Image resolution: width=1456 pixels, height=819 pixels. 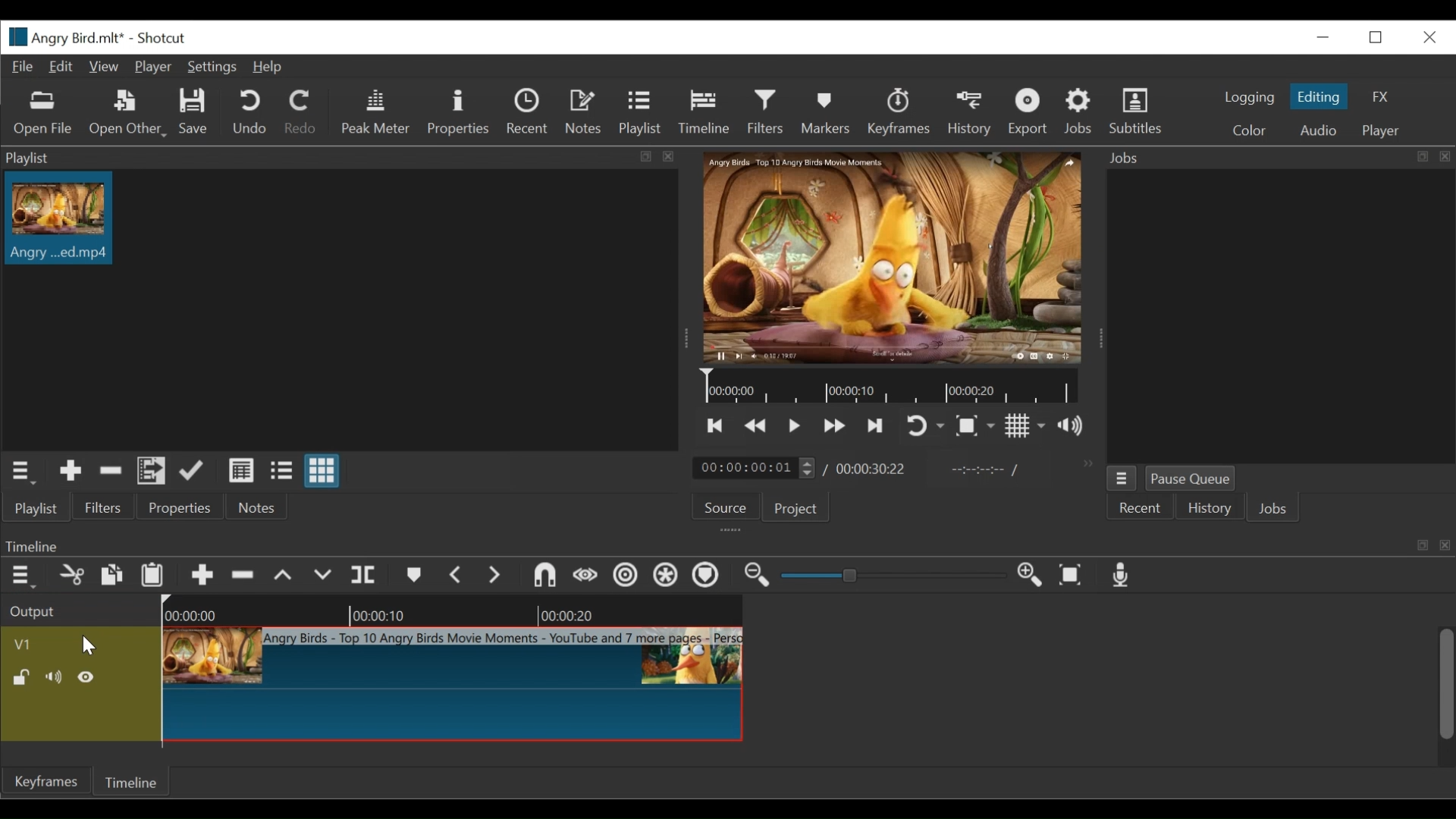 I want to click on Edit, so click(x=63, y=67).